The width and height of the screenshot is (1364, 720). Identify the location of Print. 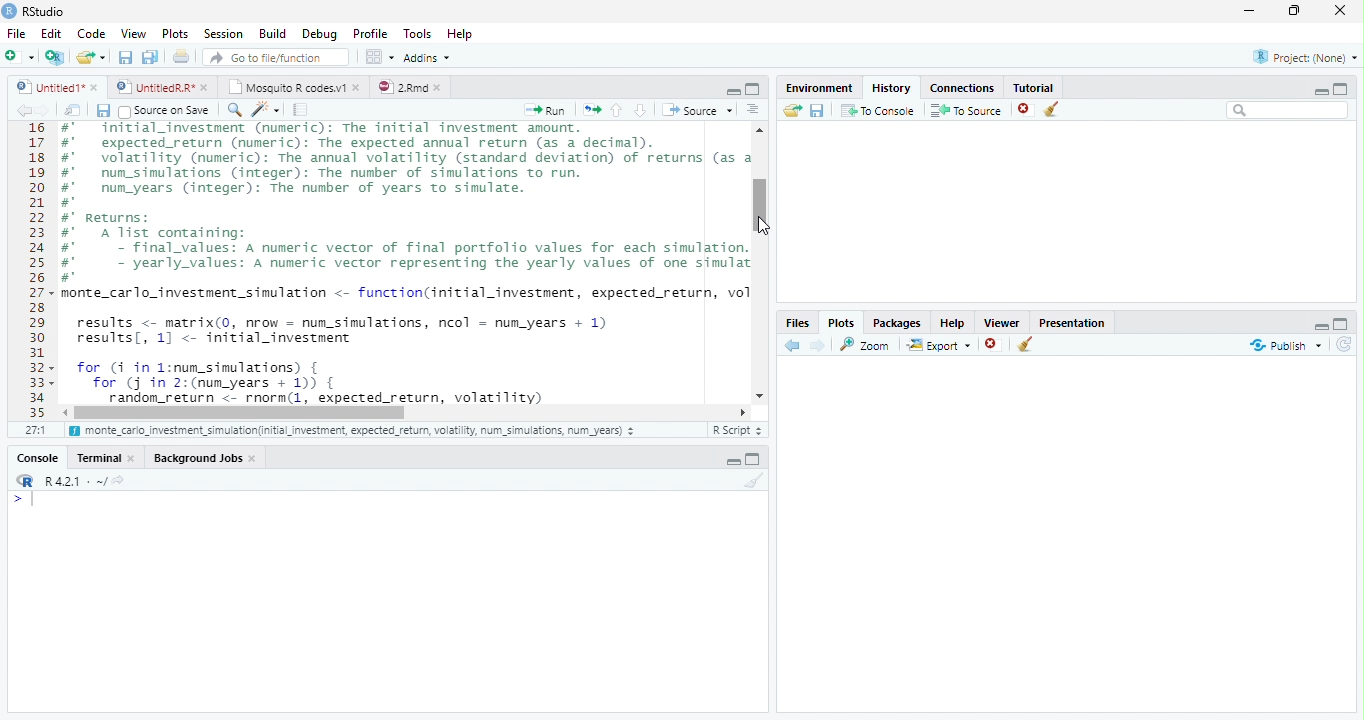
(181, 56).